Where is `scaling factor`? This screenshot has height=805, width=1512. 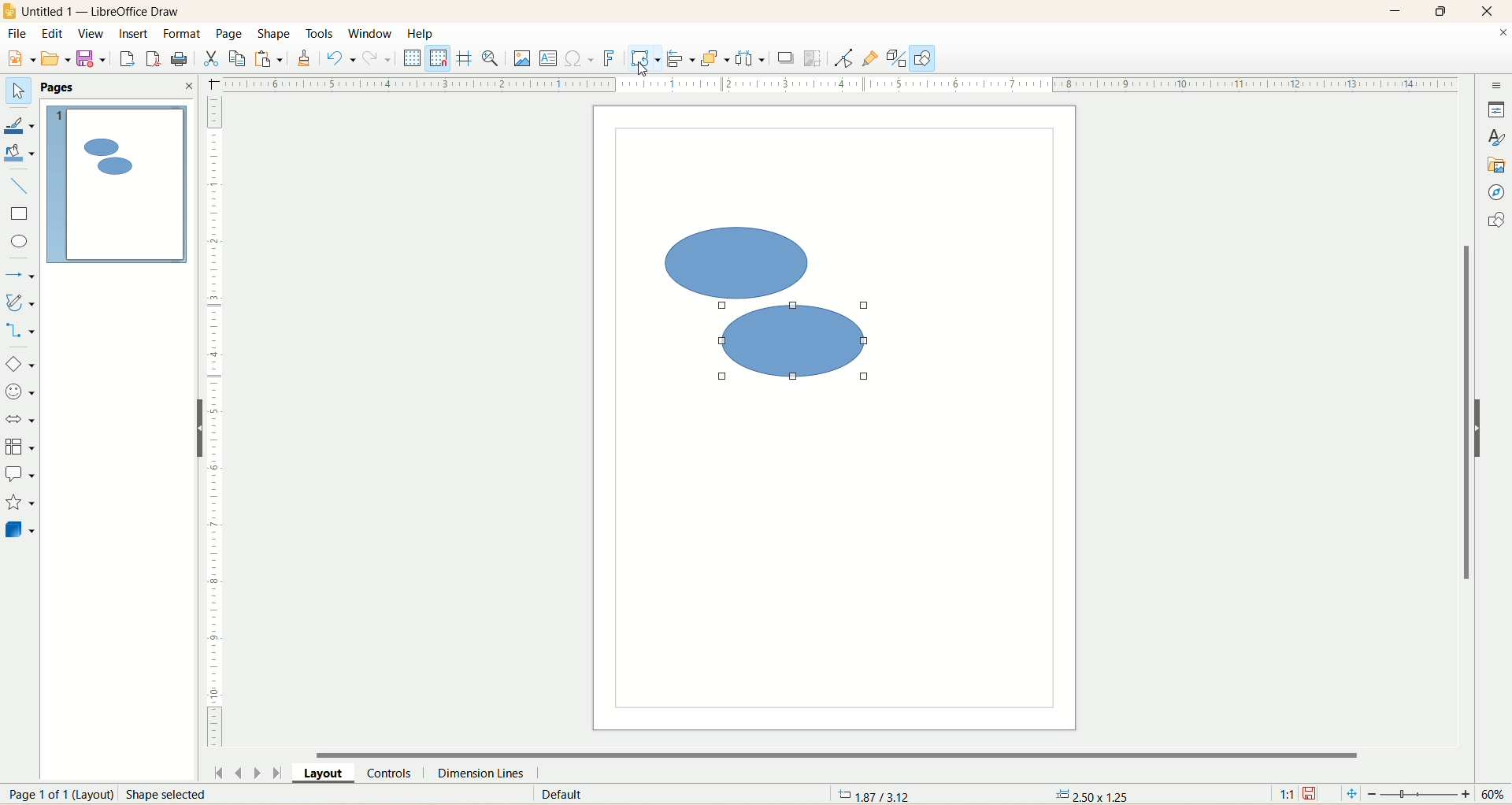 scaling factor is located at coordinates (1289, 792).